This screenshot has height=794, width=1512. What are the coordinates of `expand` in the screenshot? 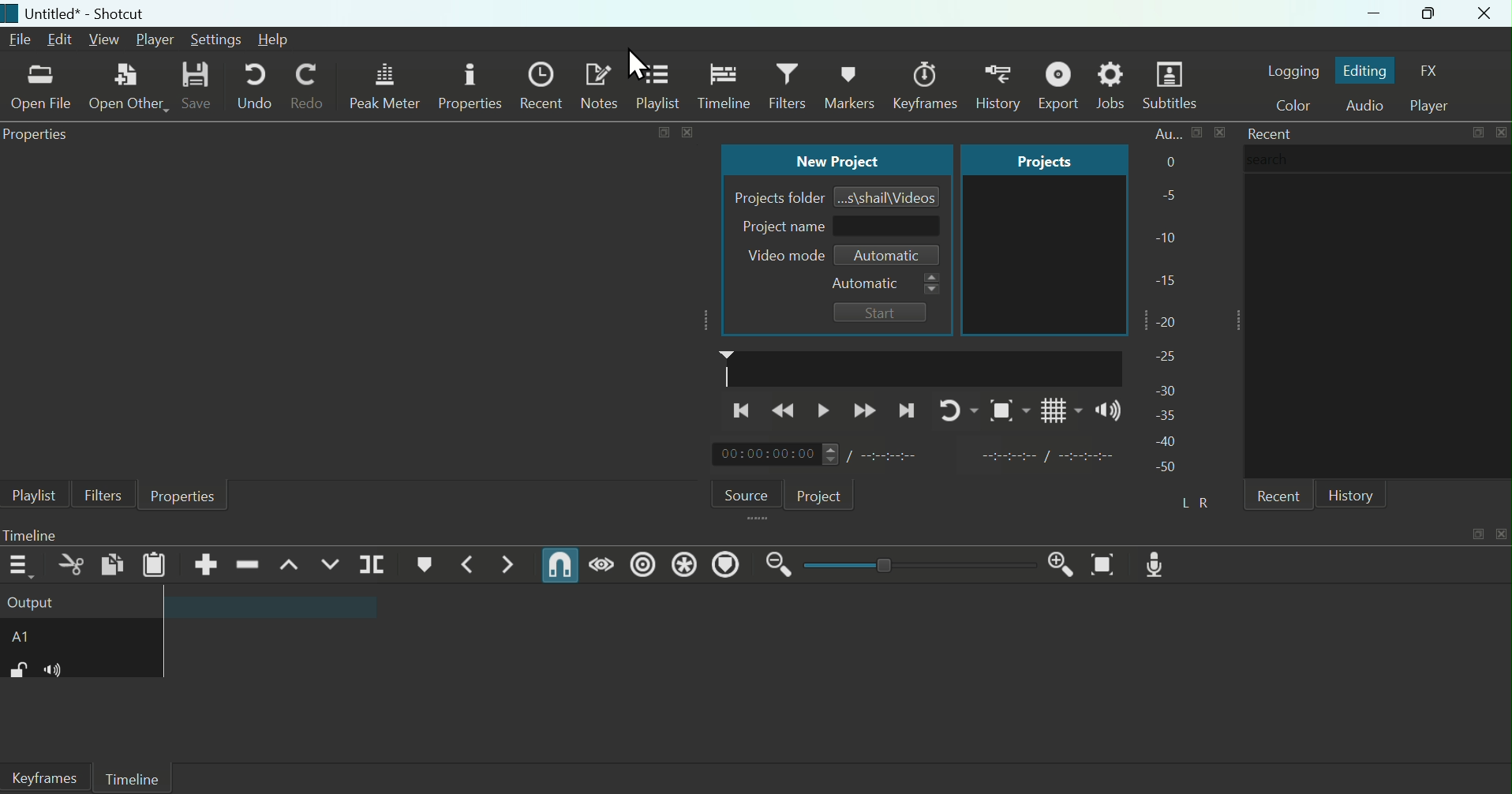 It's located at (663, 133).